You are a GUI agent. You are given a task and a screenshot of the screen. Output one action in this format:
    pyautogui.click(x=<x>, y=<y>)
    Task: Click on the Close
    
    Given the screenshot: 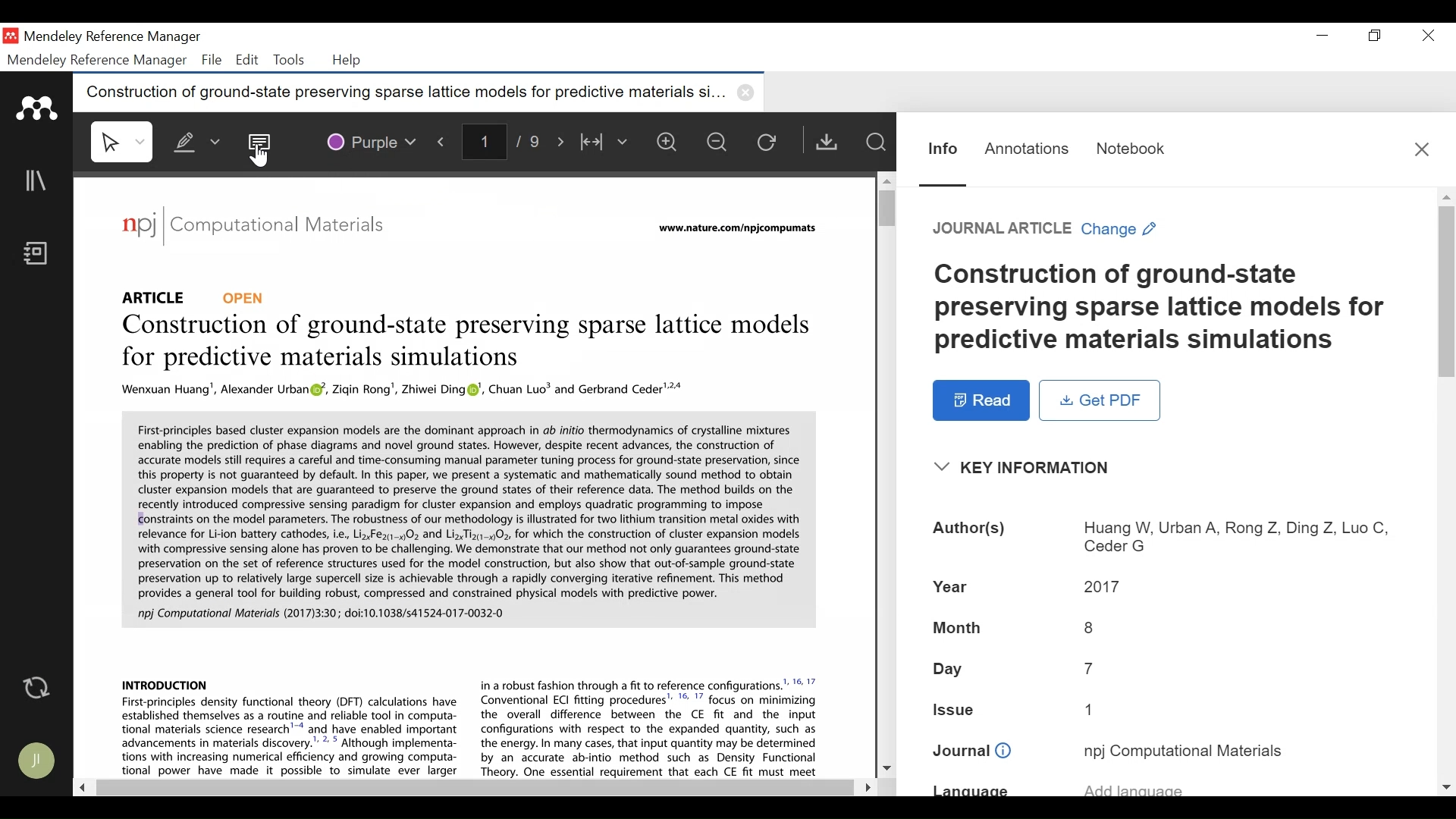 What is the action you would take?
    pyautogui.click(x=1423, y=148)
    